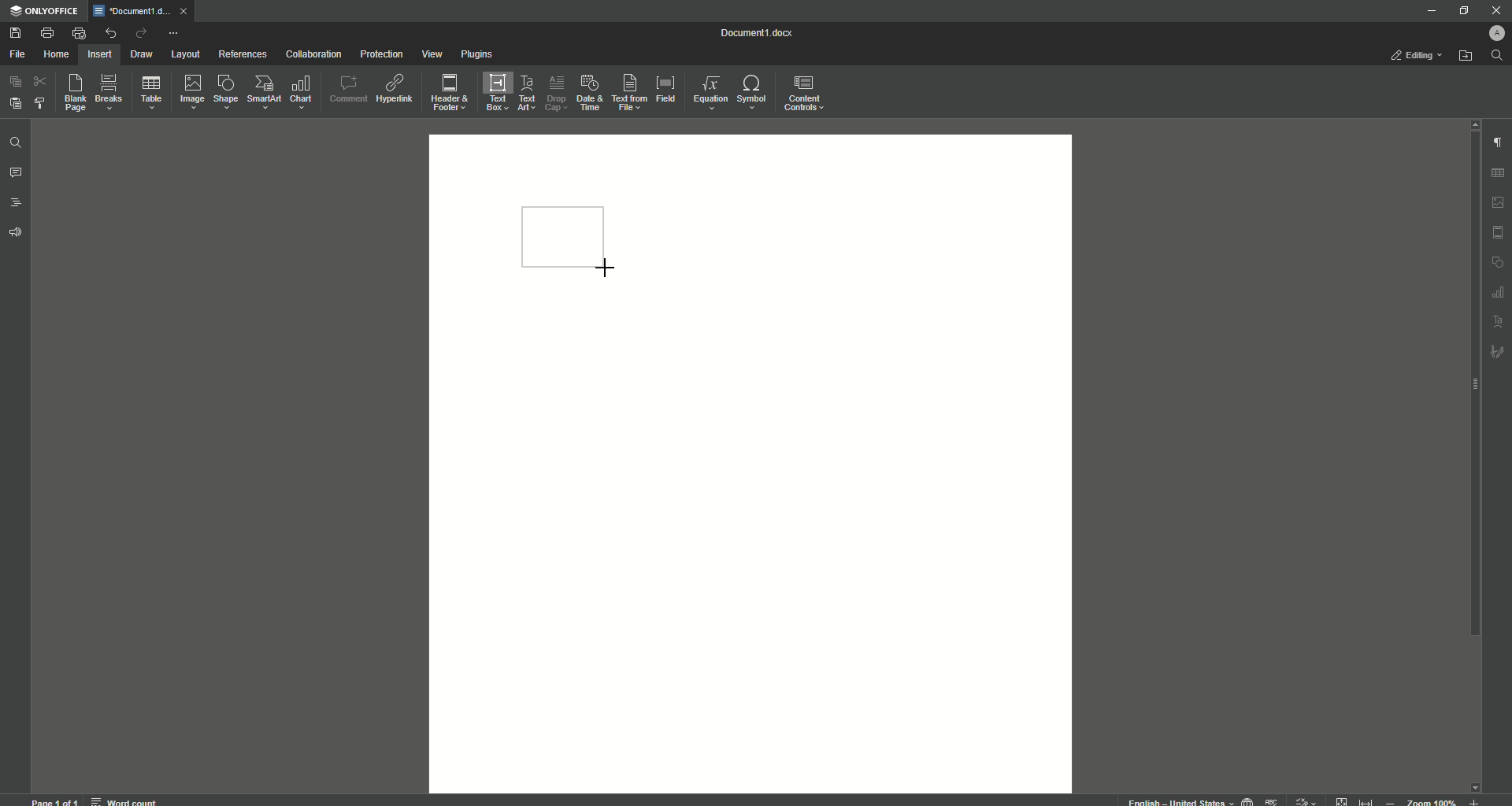 This screenshot has width=1512, height=806. Describe the element at coordinates (1173, 800) in the screenshot. I see `text language` at that location.